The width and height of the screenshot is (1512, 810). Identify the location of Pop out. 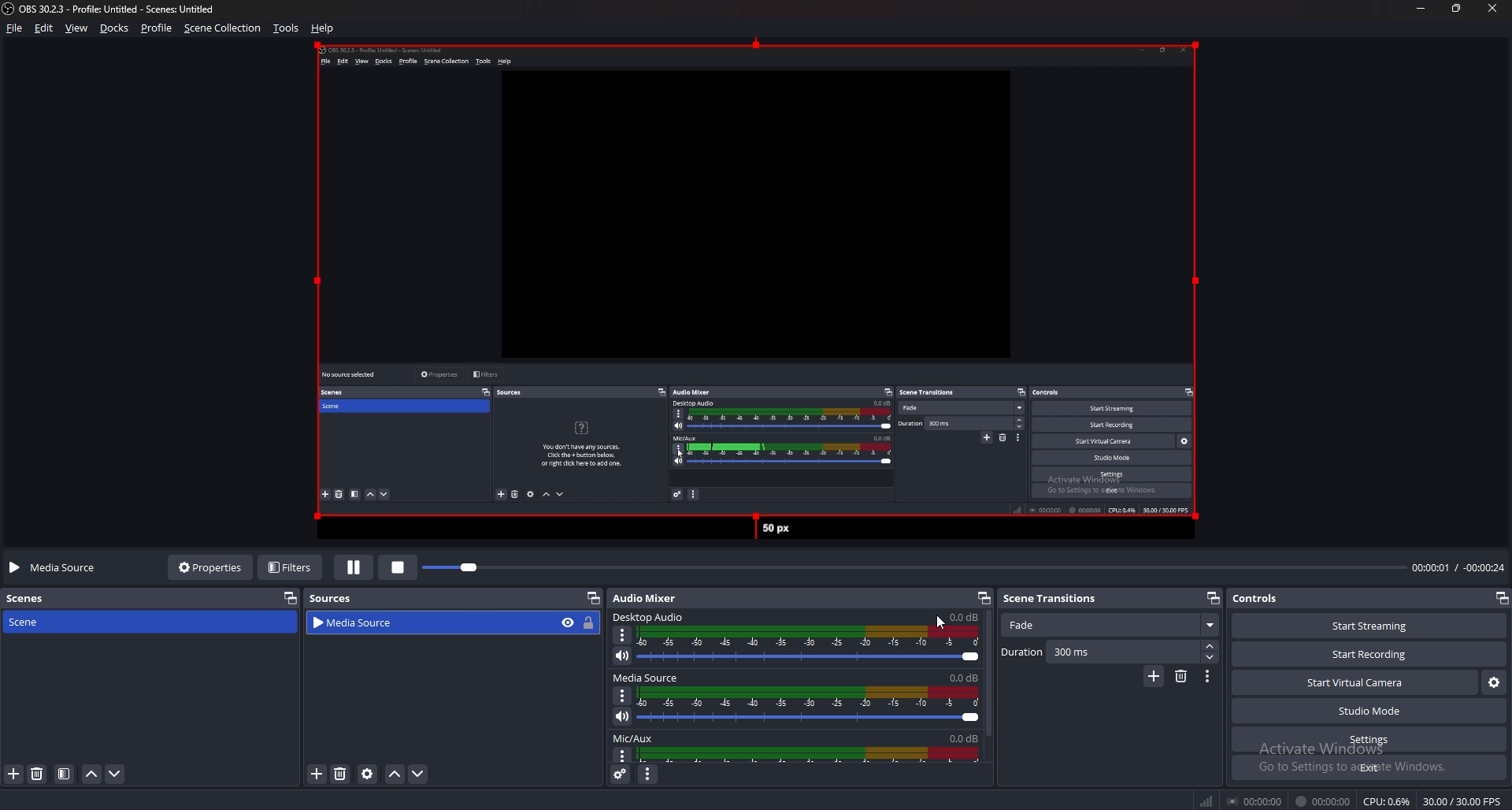
(1214, 599).